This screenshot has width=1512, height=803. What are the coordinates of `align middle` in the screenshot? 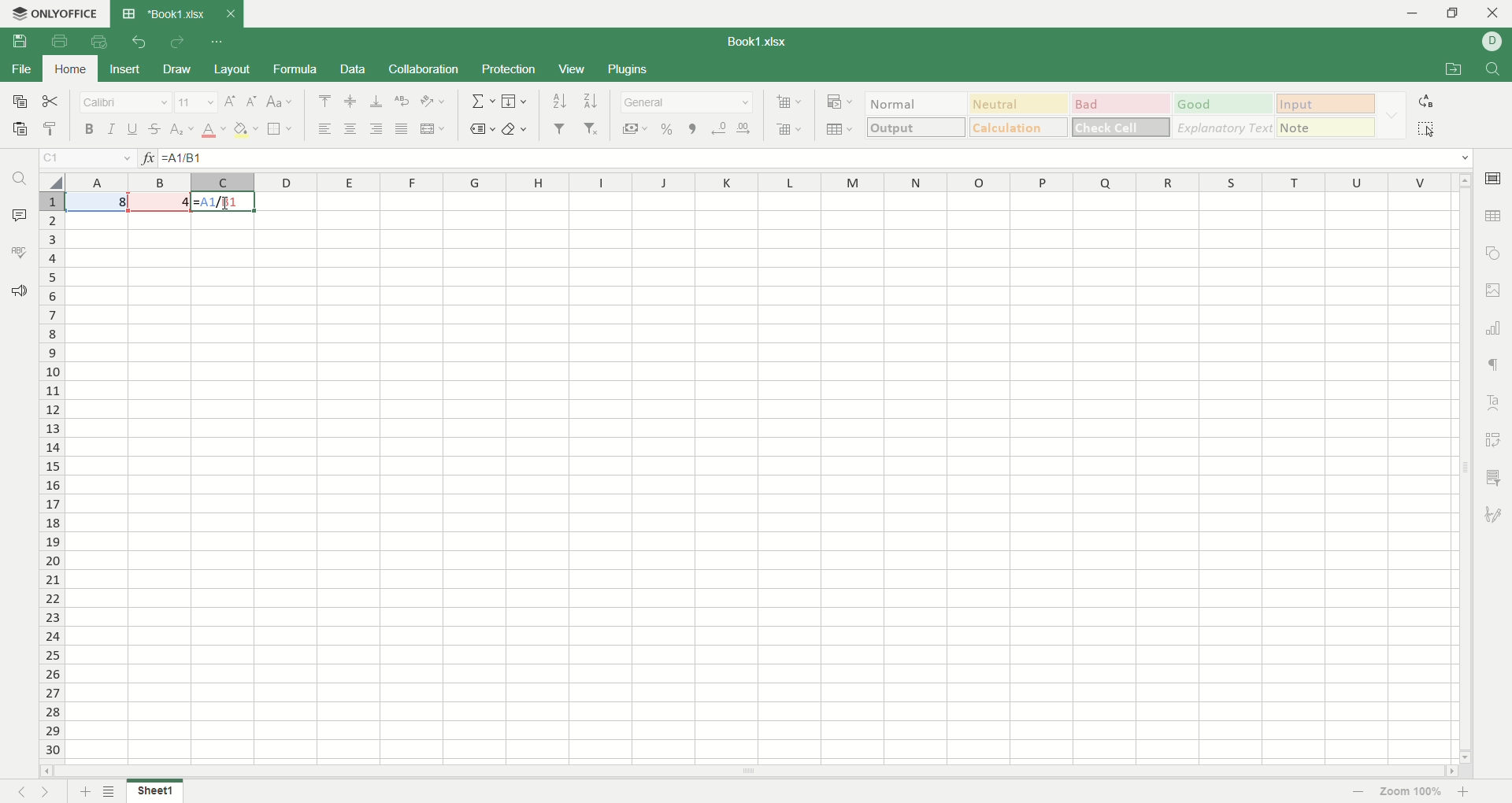 It's located at (348, 101).